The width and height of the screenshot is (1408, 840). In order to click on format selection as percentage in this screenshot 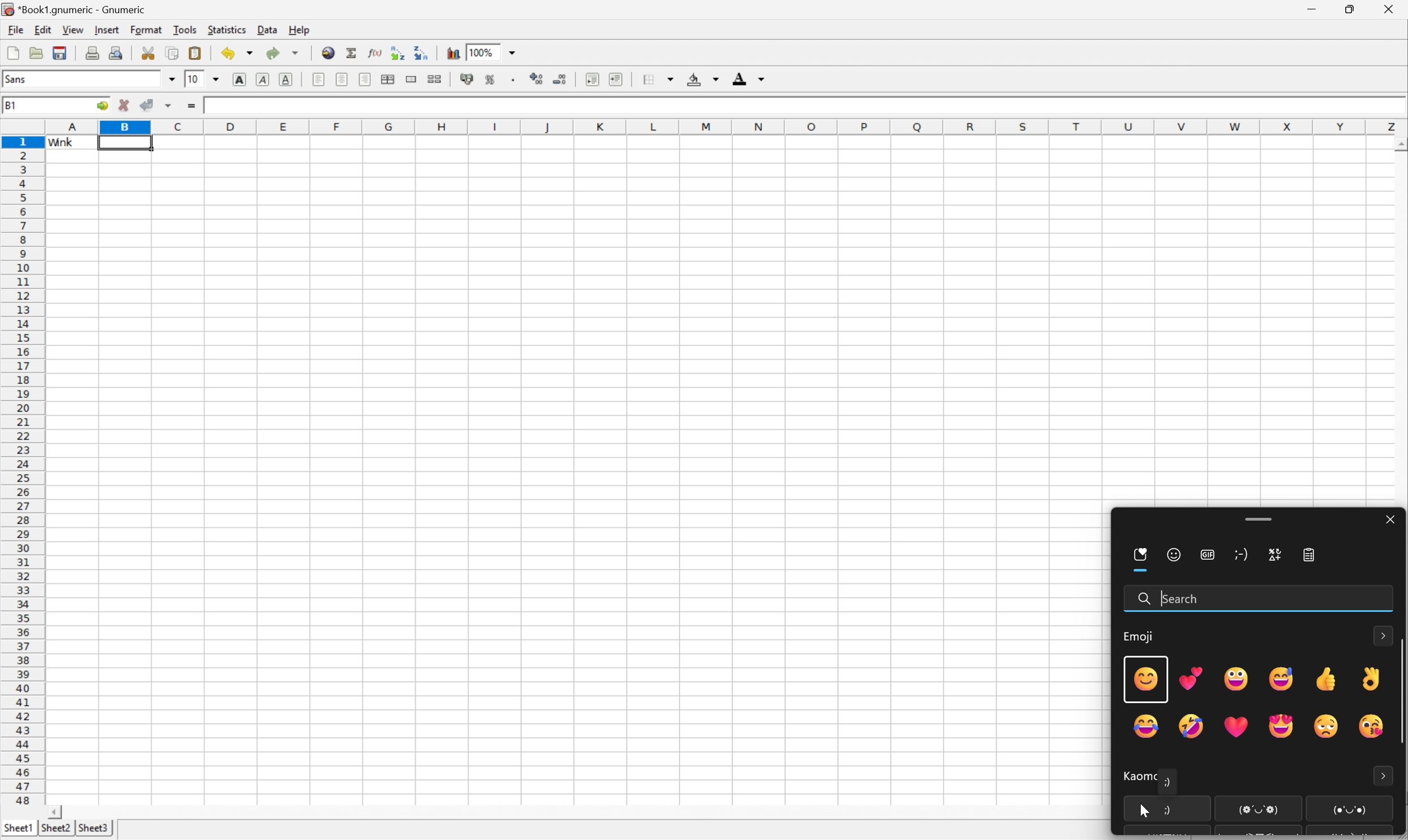, I will do `click(492, 79)`.